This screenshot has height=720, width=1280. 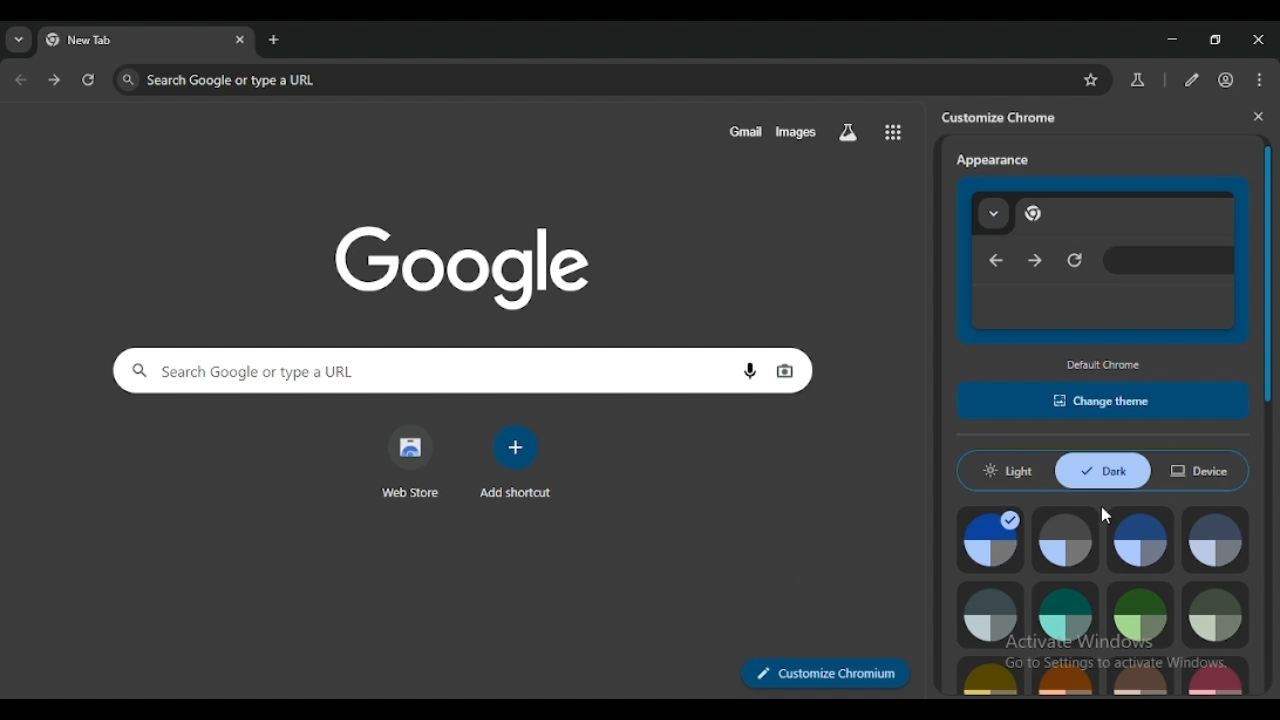 What do you see at coordinates (825, 674) in the screenshot?
I see `customize chromium` at bounding box center [825, 674].